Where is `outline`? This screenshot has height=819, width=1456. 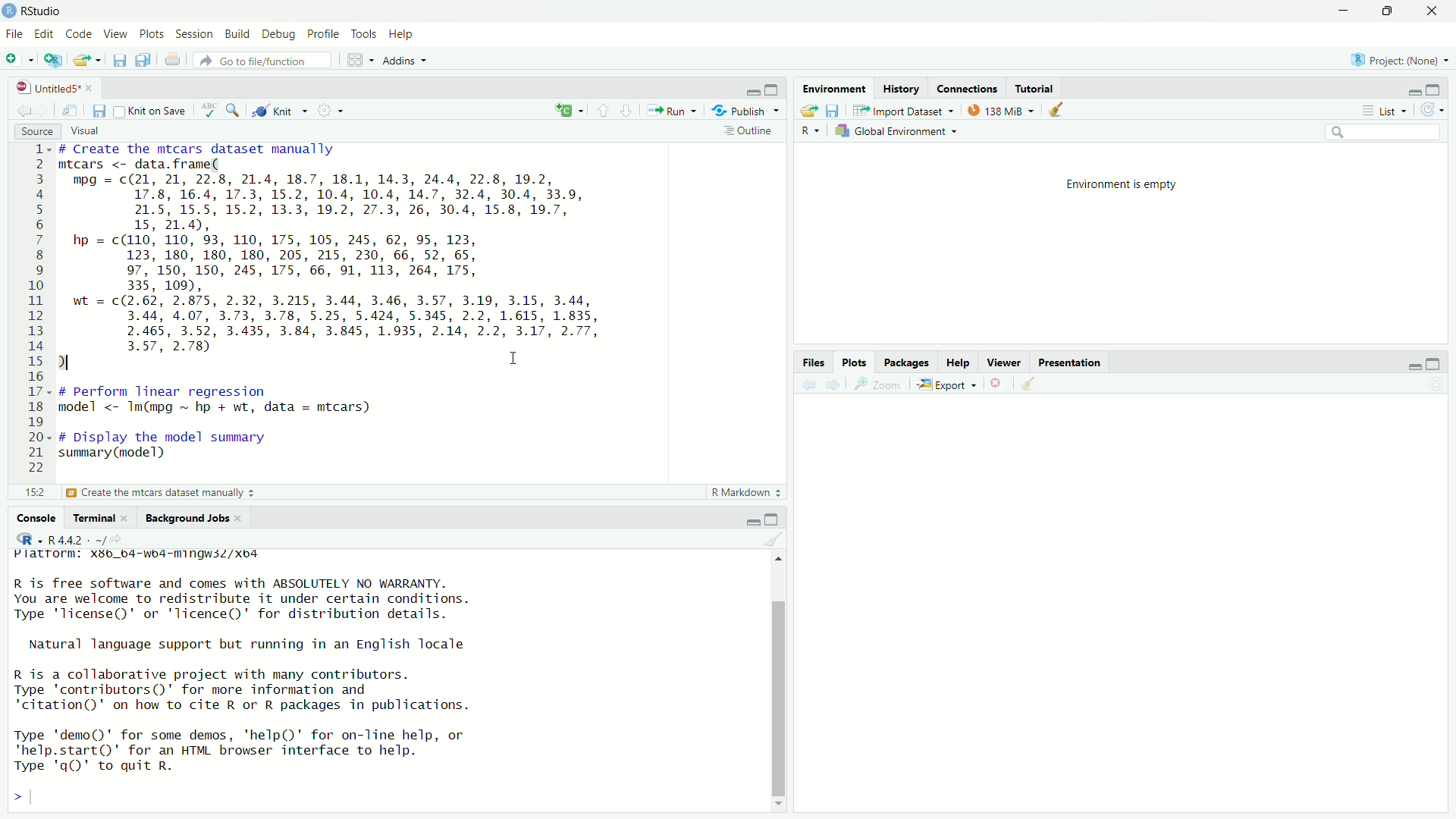
outline is located at coordinates (748, 132).